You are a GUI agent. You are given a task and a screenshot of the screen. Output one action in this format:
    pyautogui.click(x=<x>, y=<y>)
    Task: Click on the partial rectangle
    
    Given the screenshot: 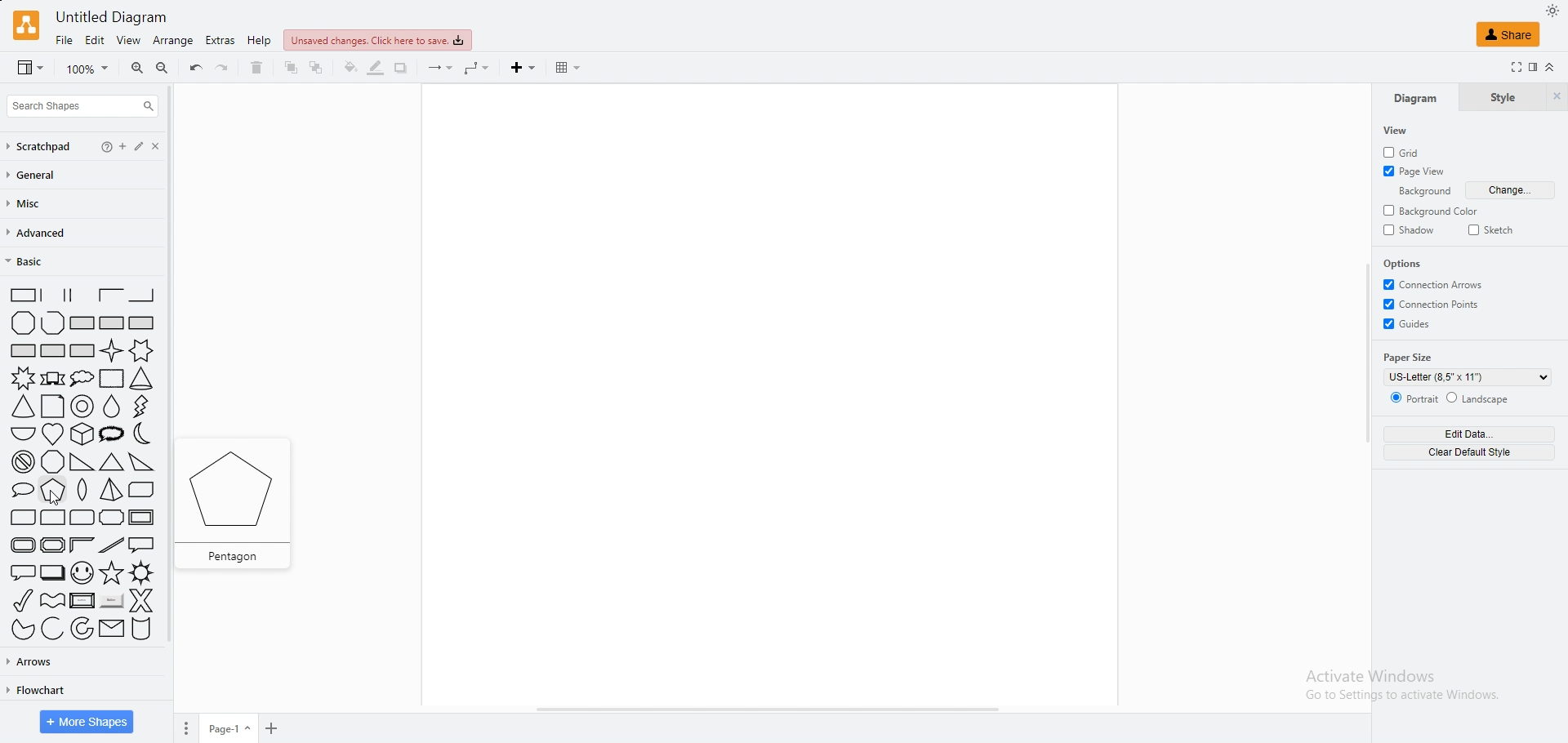 What is the action you would take?
    pyautogui.click(x=111, y=295)
    